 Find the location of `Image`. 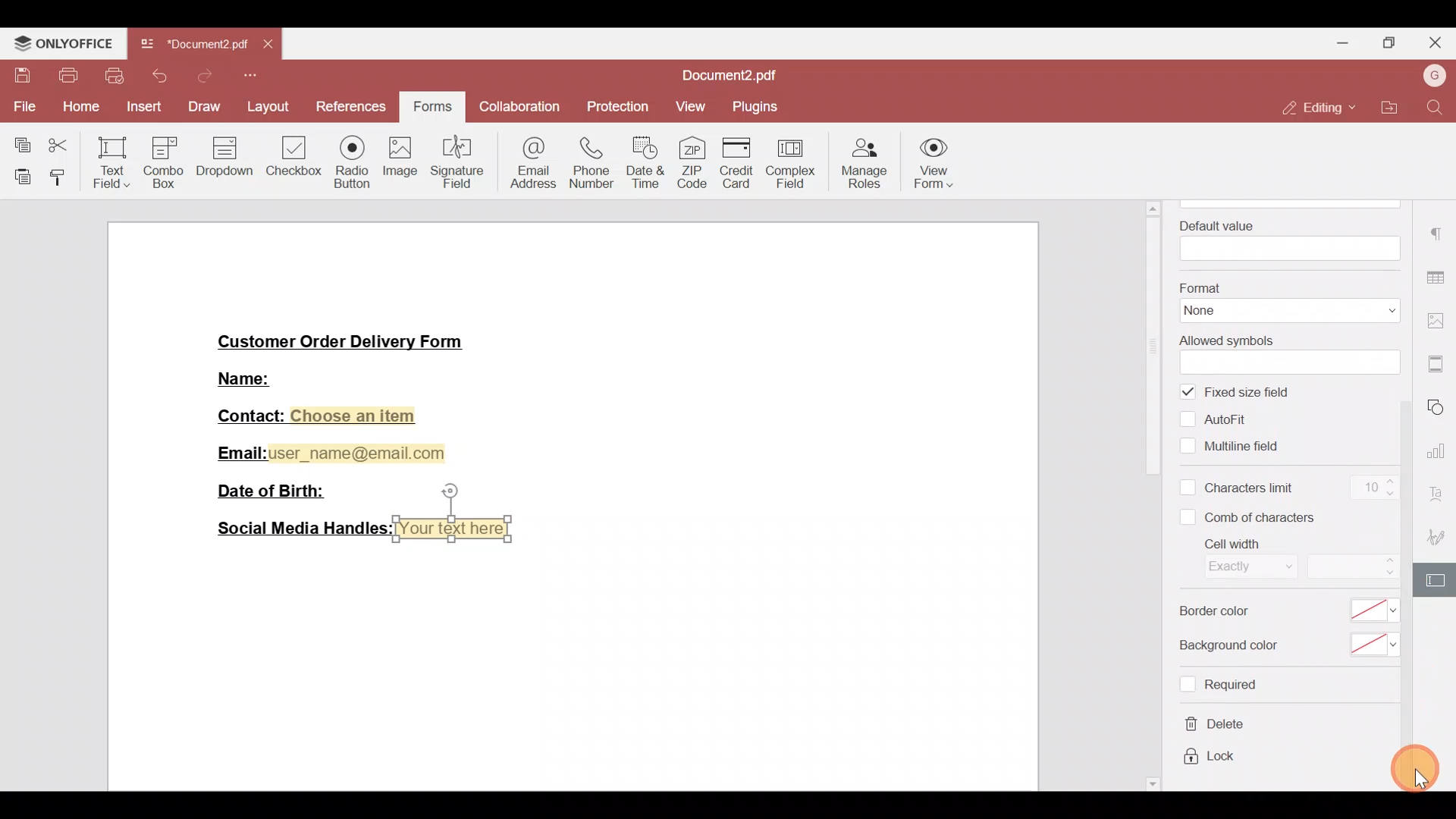

Image is located at coordinates (398, 160).